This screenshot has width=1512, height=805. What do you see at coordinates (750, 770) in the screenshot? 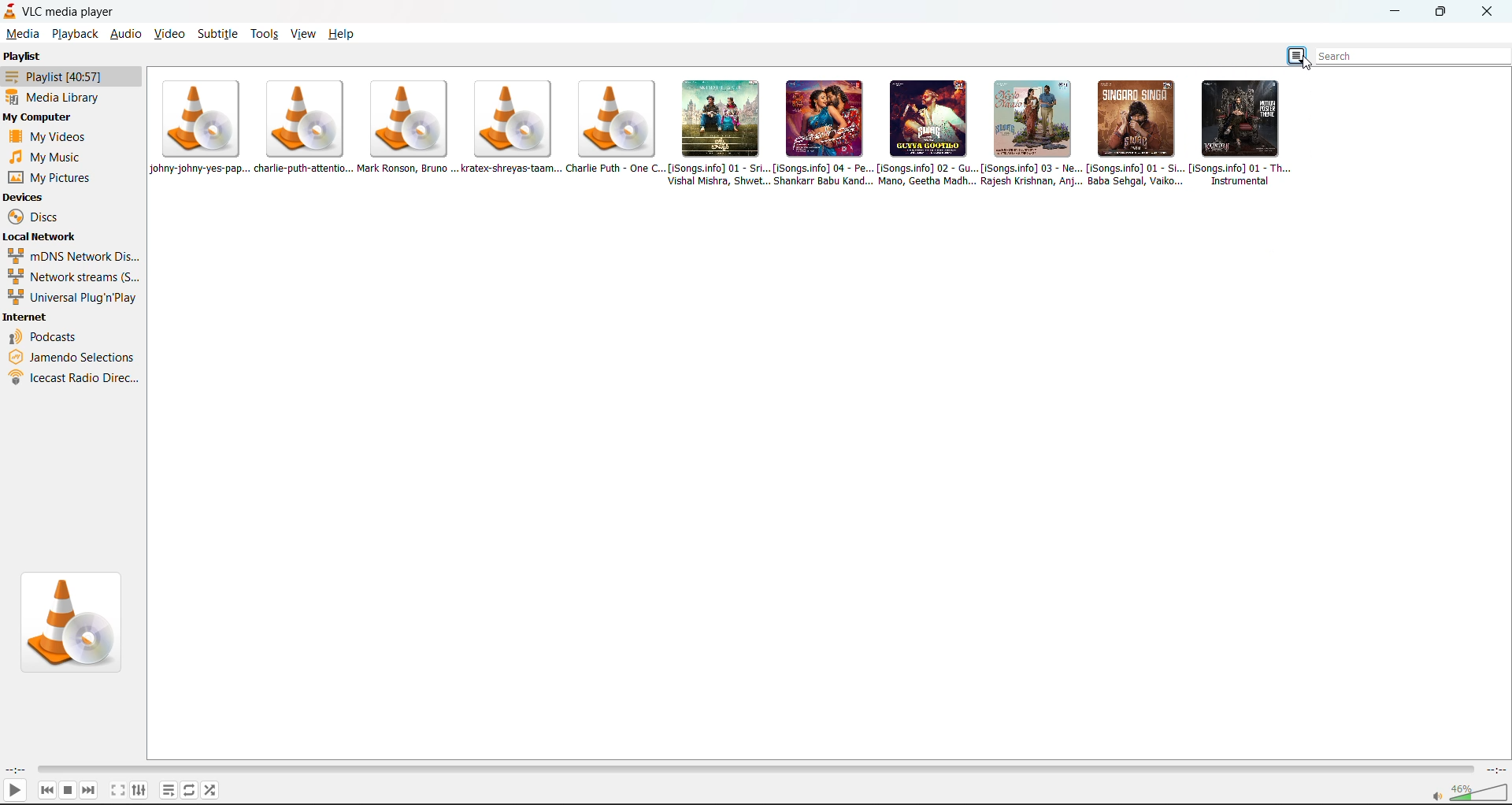
I see `track slider` at bounding box center [750, 770].